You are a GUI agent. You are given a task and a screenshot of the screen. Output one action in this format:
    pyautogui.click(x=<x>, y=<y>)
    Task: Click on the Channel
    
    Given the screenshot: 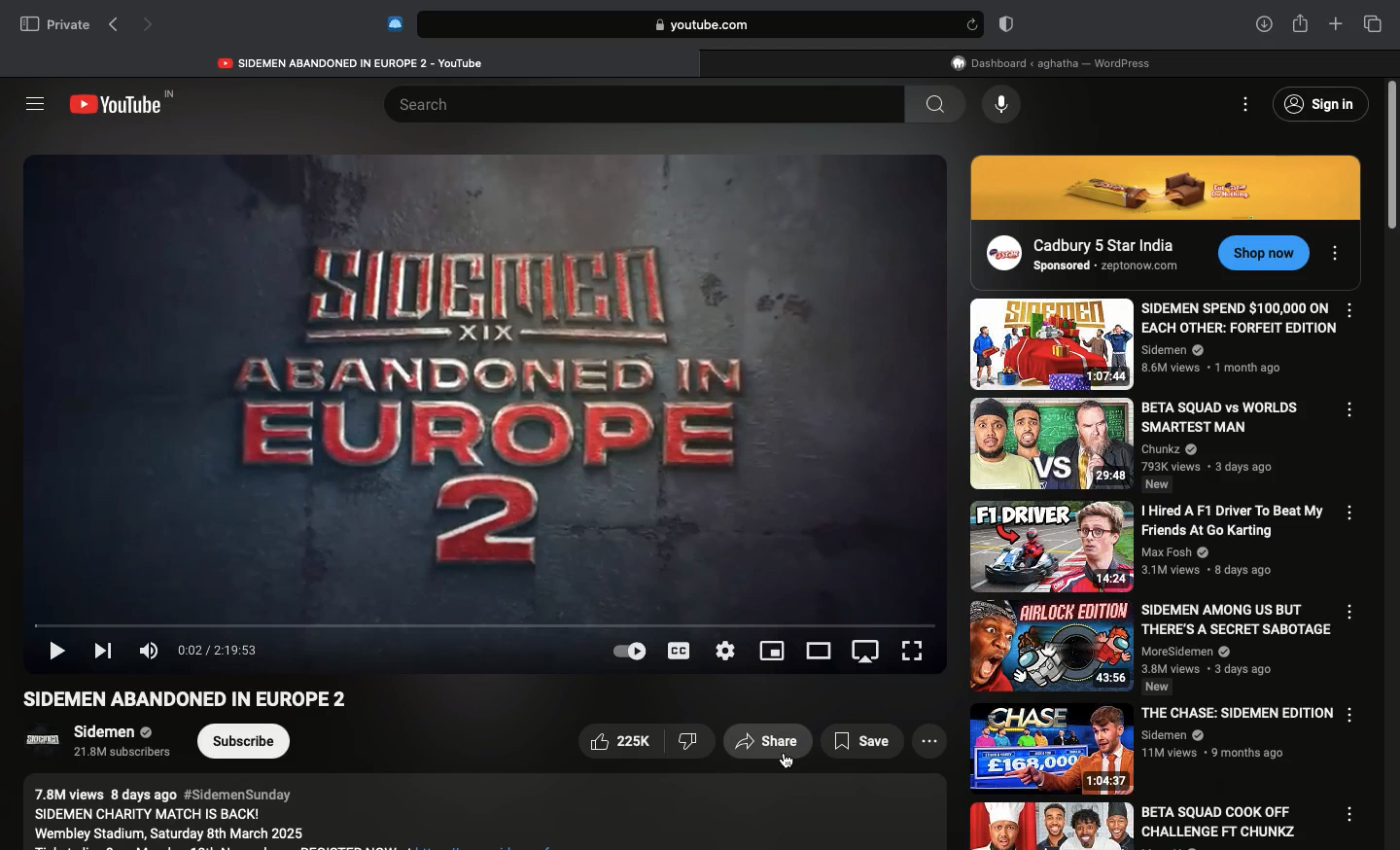 What is the action you would take?
    pyautogui.click(x=87, y=744)
    